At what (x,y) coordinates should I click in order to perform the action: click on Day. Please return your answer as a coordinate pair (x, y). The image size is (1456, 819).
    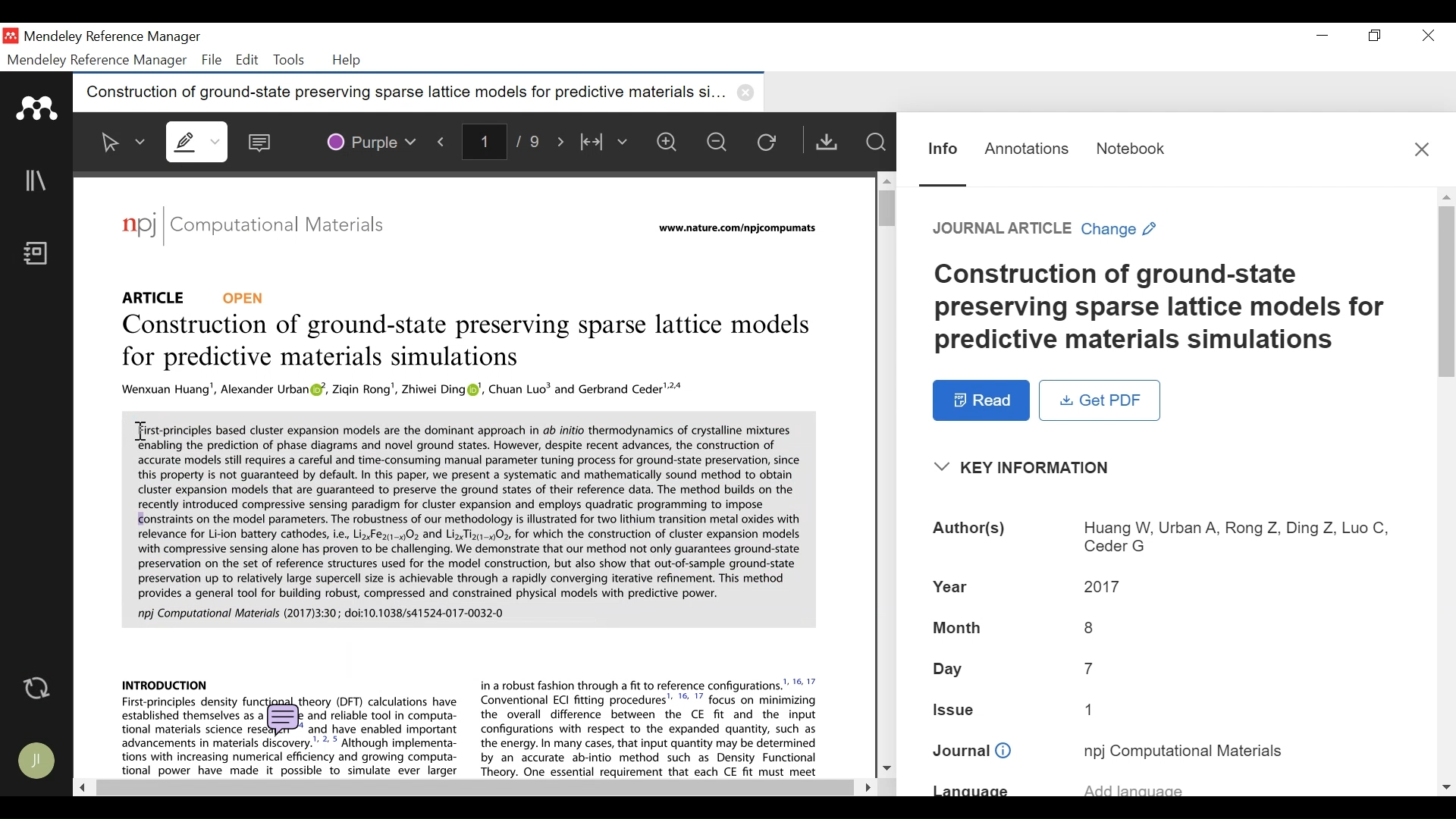
    Looking at the image, I should click on (950, 670).